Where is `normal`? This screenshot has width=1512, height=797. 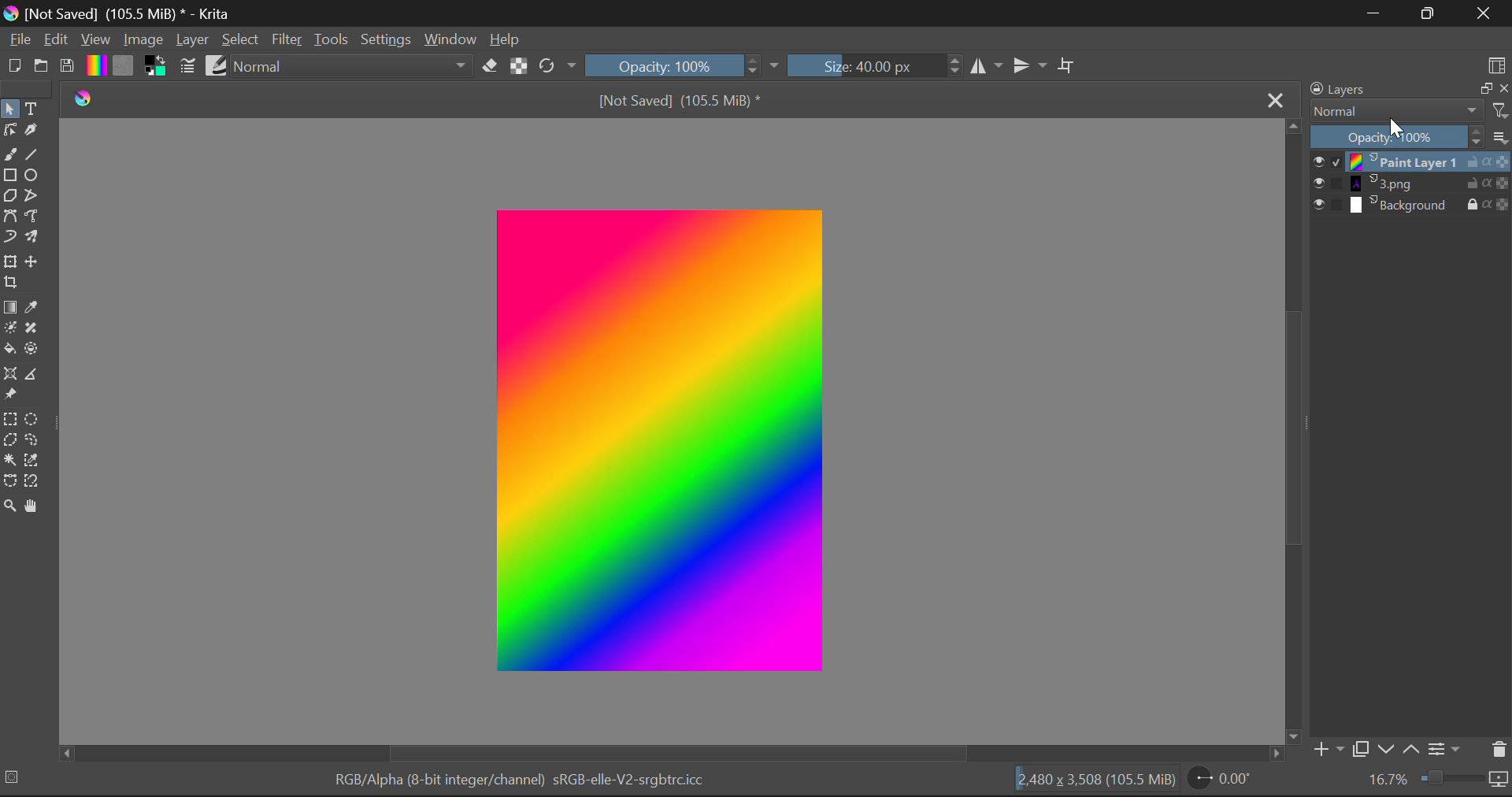
normal is located at coordinates (354, 67).